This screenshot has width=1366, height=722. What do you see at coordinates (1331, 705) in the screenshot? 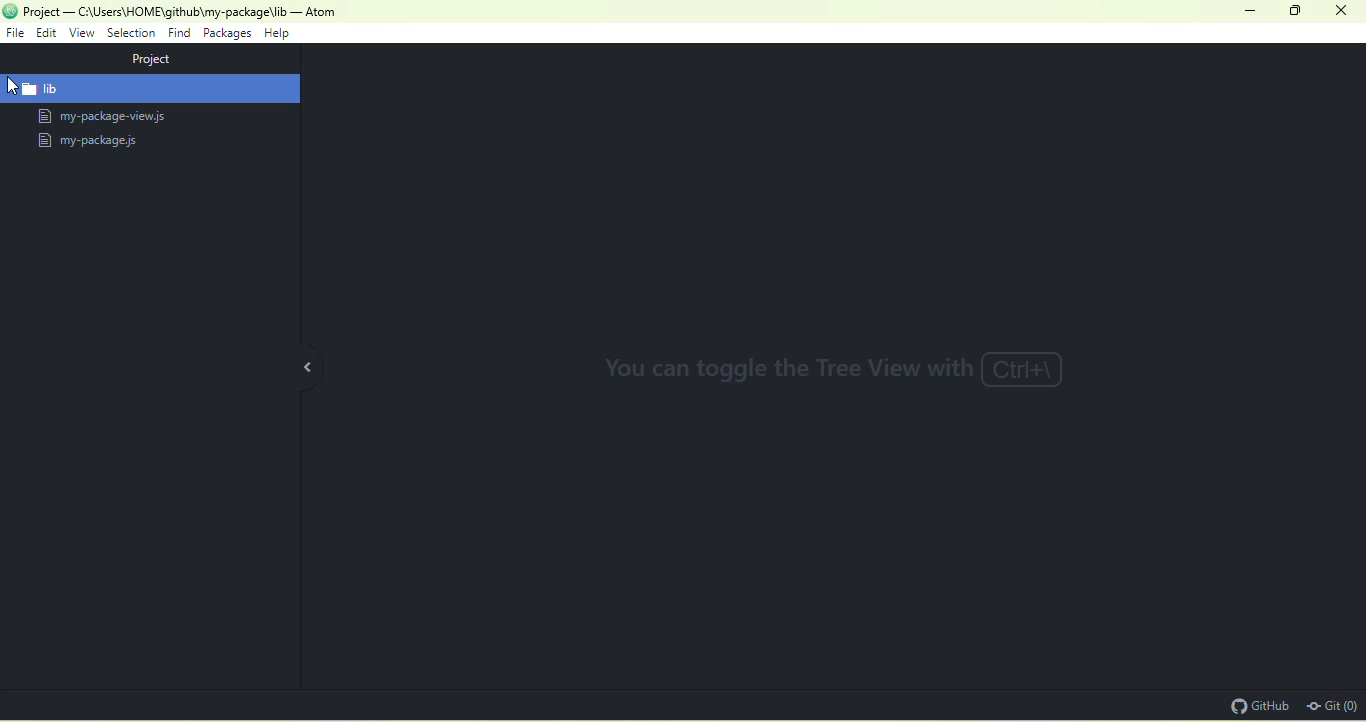
I see `git` at bounding box center [1331, 705].